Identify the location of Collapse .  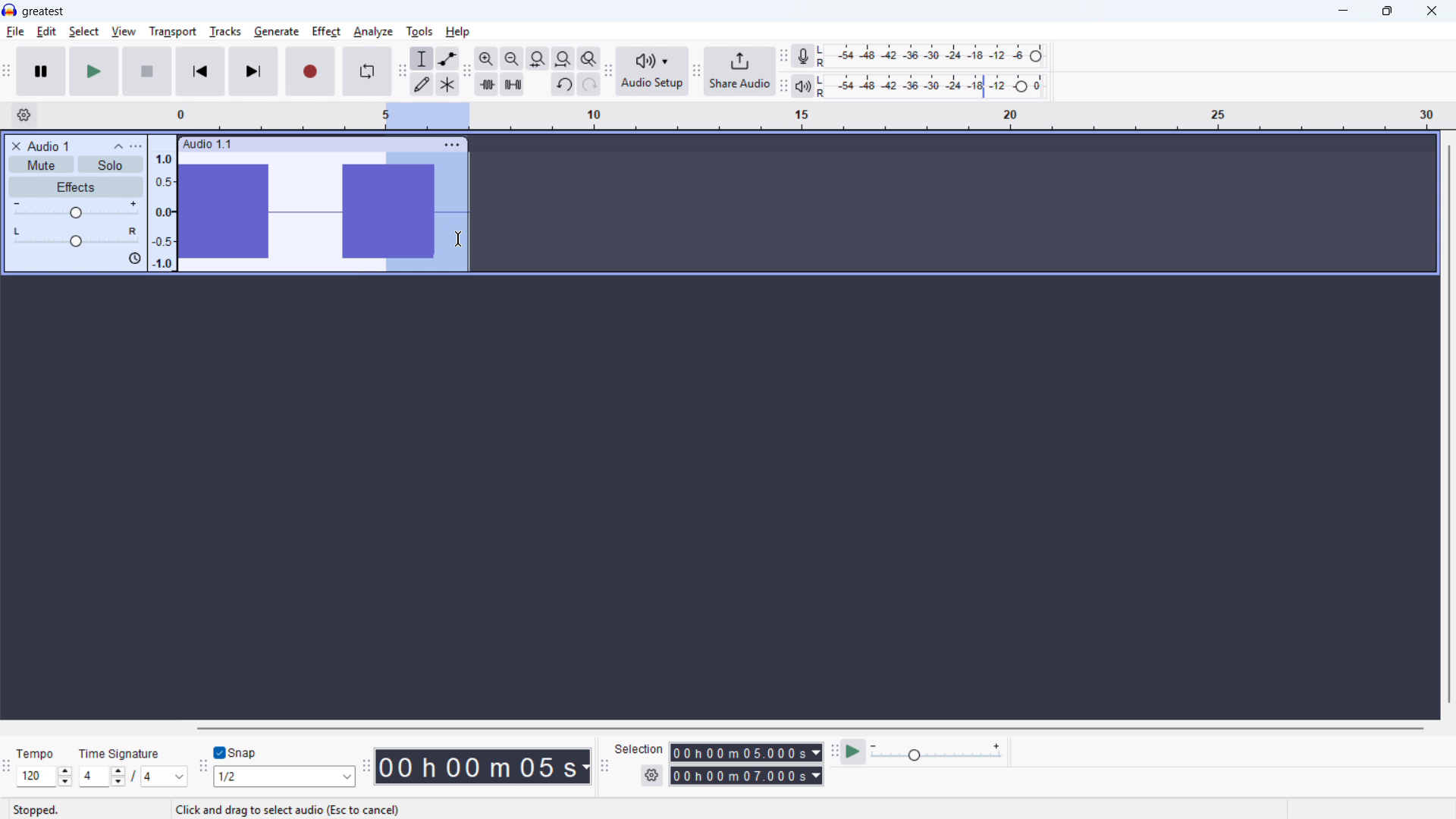
(118, 146).